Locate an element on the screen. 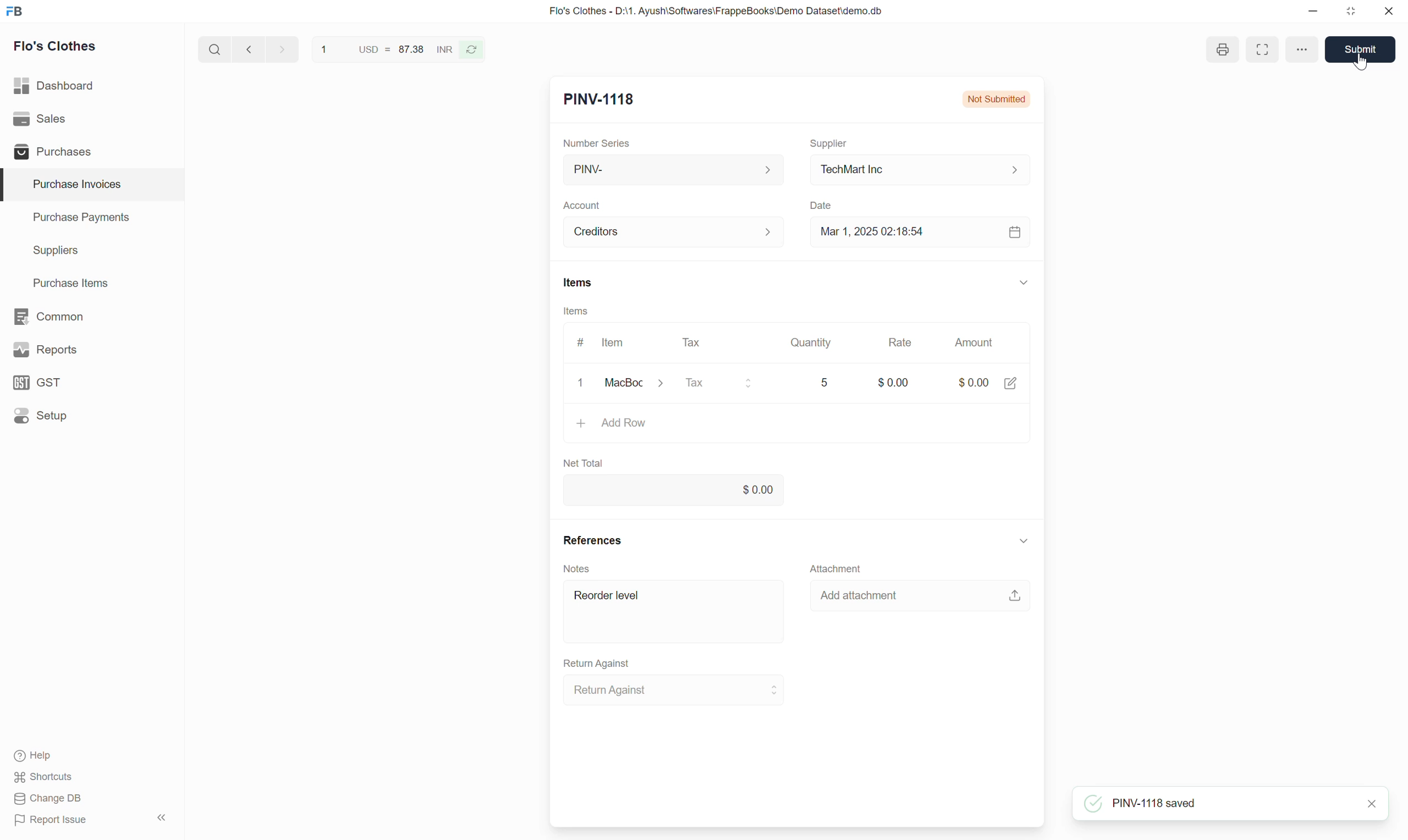  Purchases is located at coordinates (91, 151).